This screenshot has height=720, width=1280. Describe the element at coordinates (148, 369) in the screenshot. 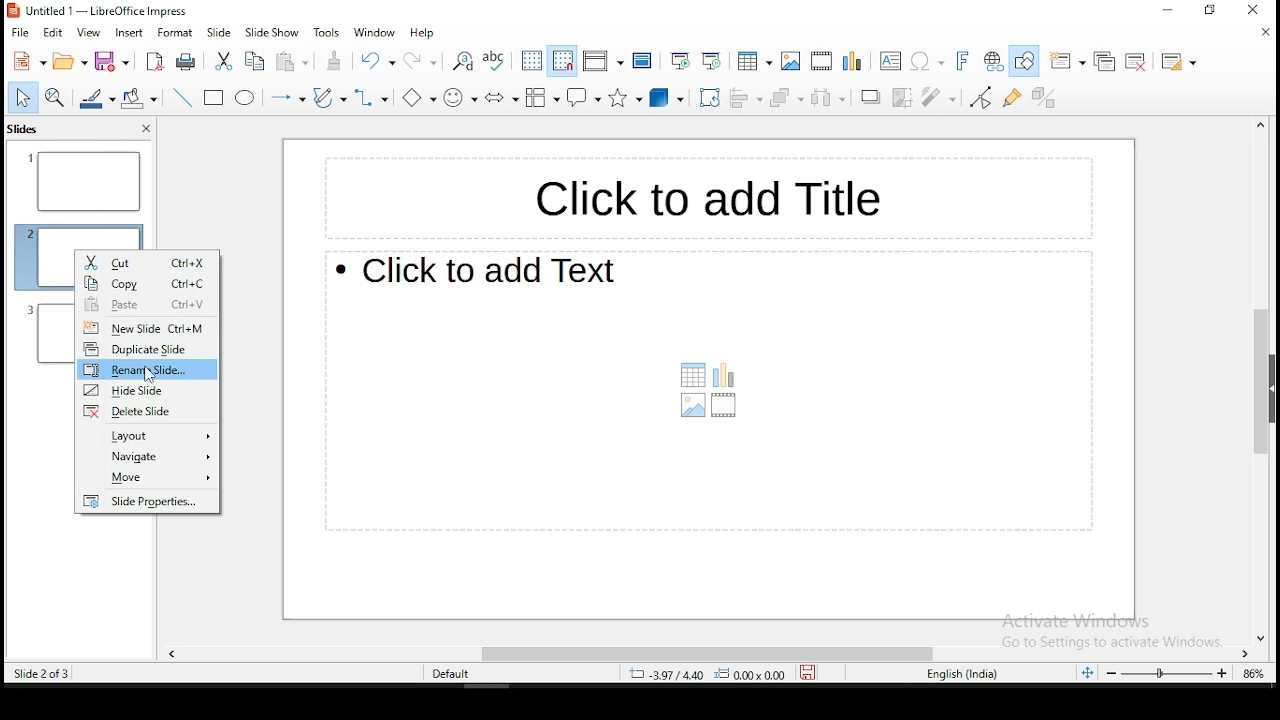

I see `rename slide` at that location.